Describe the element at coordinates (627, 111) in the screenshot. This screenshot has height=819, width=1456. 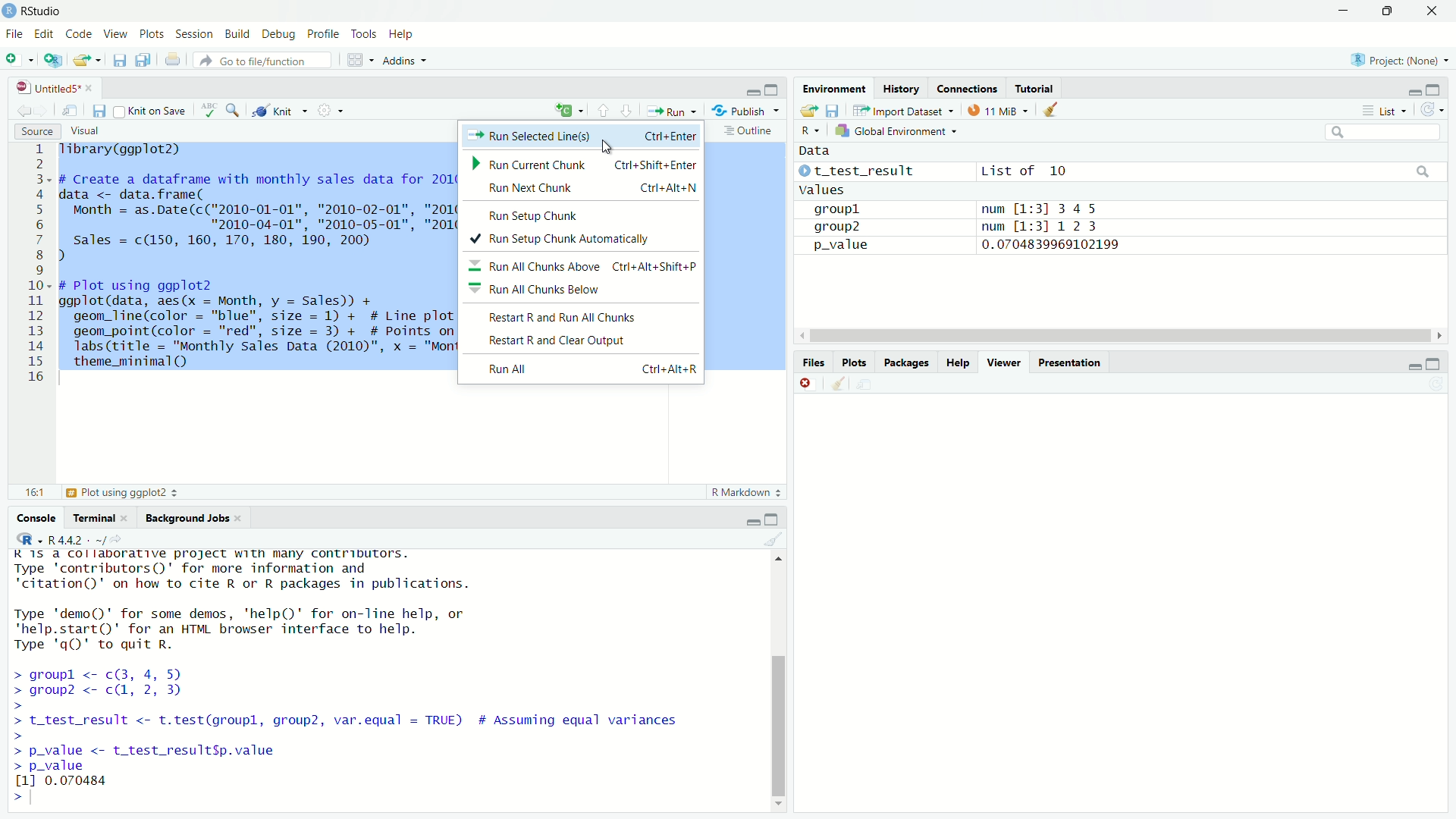
I see `go to next section` at that location.